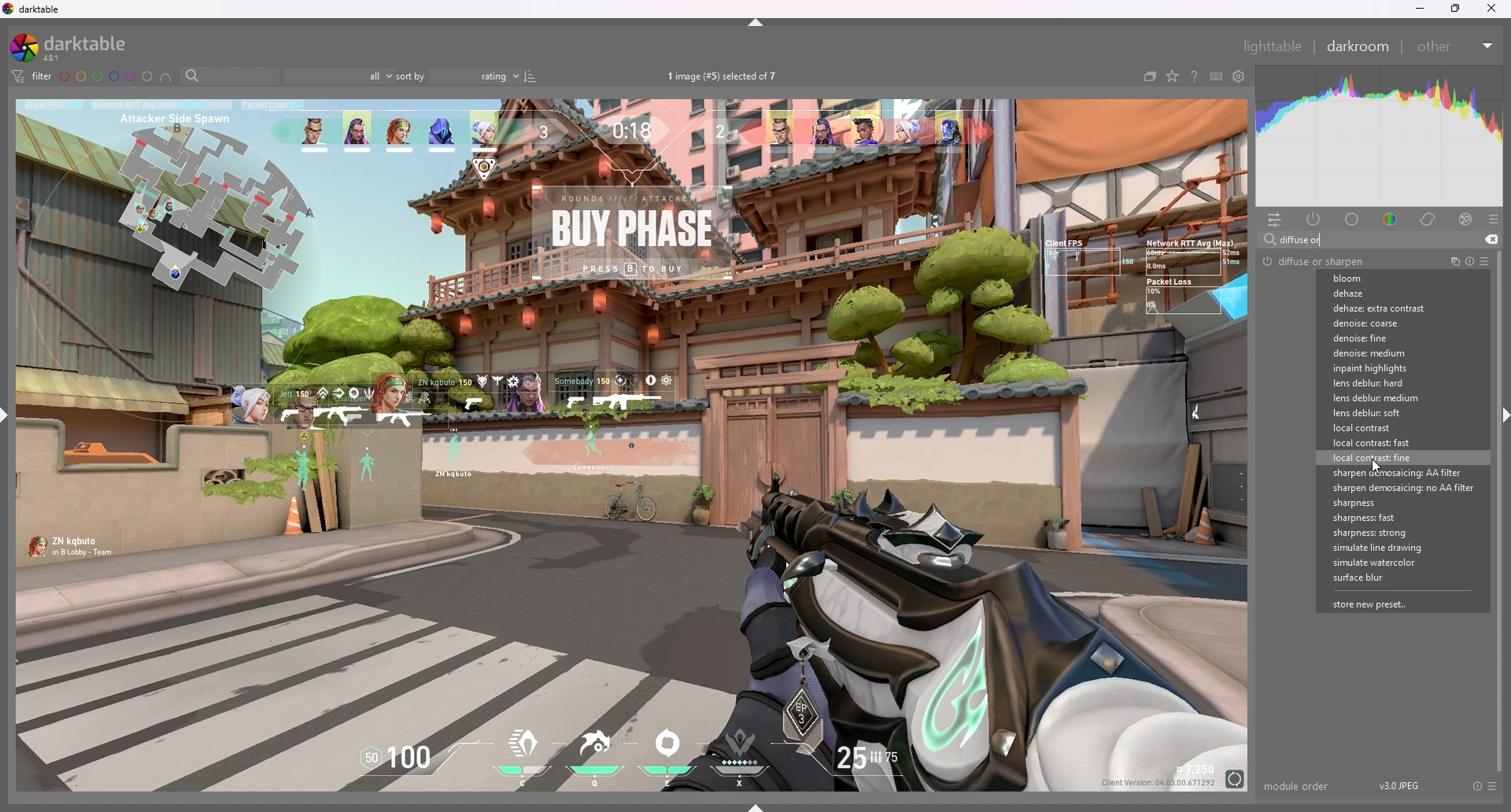 This screenshot has width=1511, height=812. I want to click on version, so click(1403, 785).